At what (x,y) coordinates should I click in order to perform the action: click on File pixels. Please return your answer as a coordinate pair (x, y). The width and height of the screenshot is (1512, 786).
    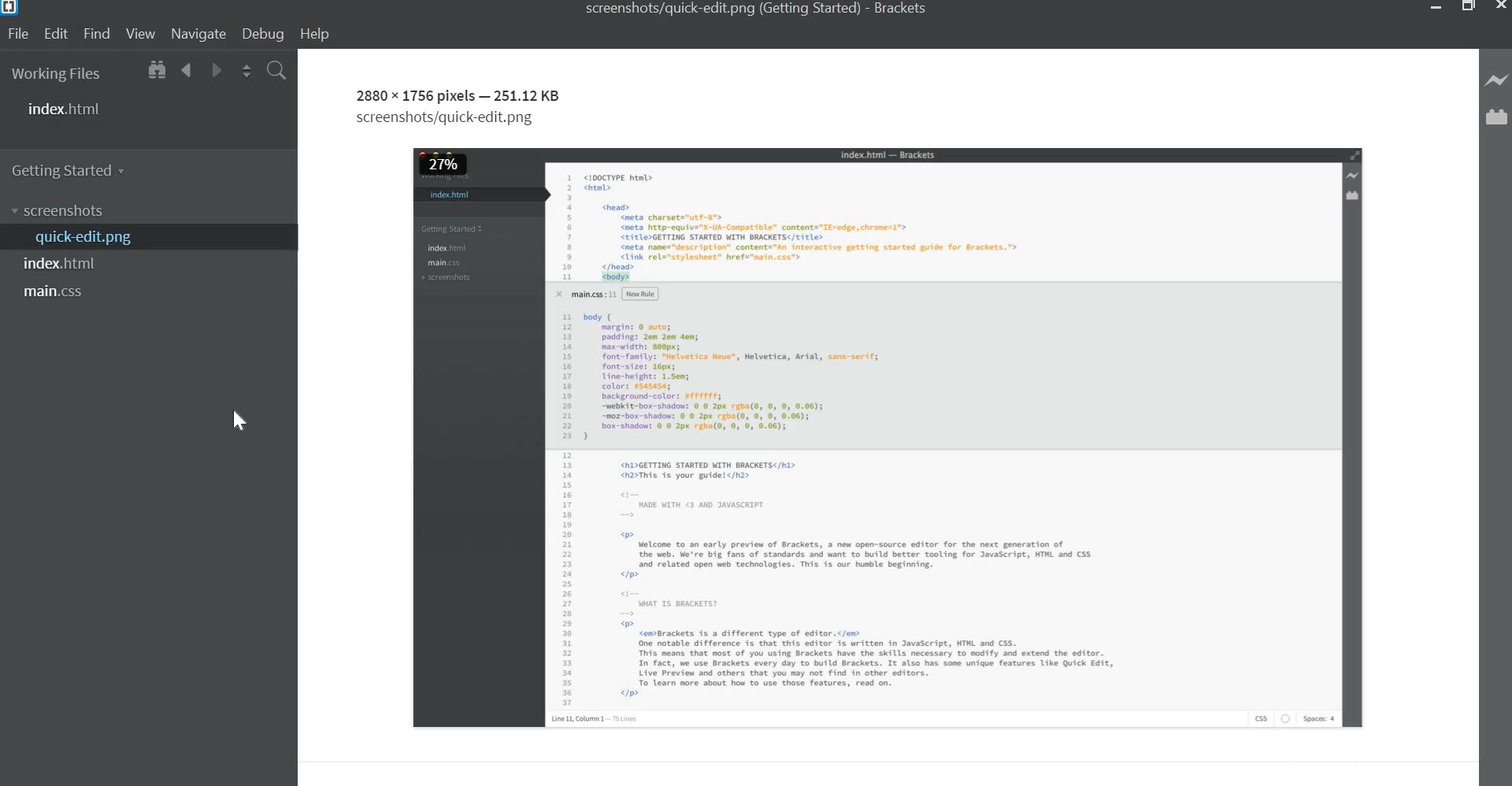
    Looking at the image, I should click on (414, 95).